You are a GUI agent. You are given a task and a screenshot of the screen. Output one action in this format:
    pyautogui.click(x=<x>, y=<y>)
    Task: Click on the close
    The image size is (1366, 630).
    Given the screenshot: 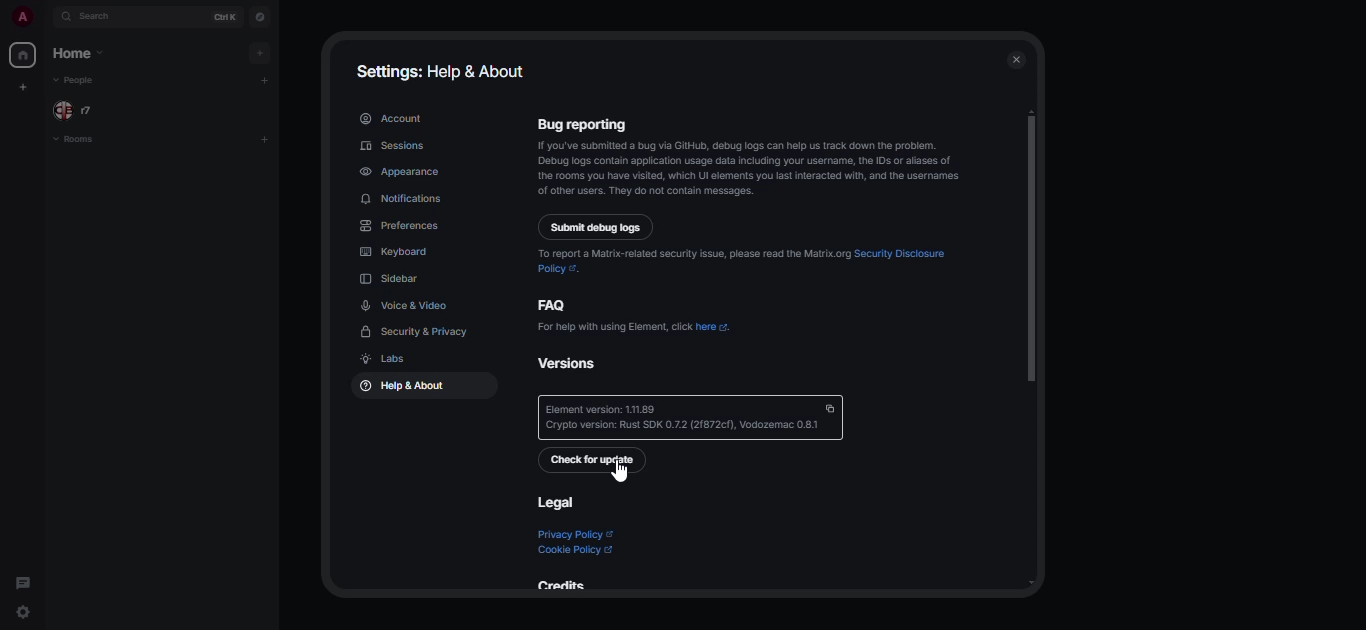 What is the action you would take?
    pyautogui.click(x=1017, y=58)
    